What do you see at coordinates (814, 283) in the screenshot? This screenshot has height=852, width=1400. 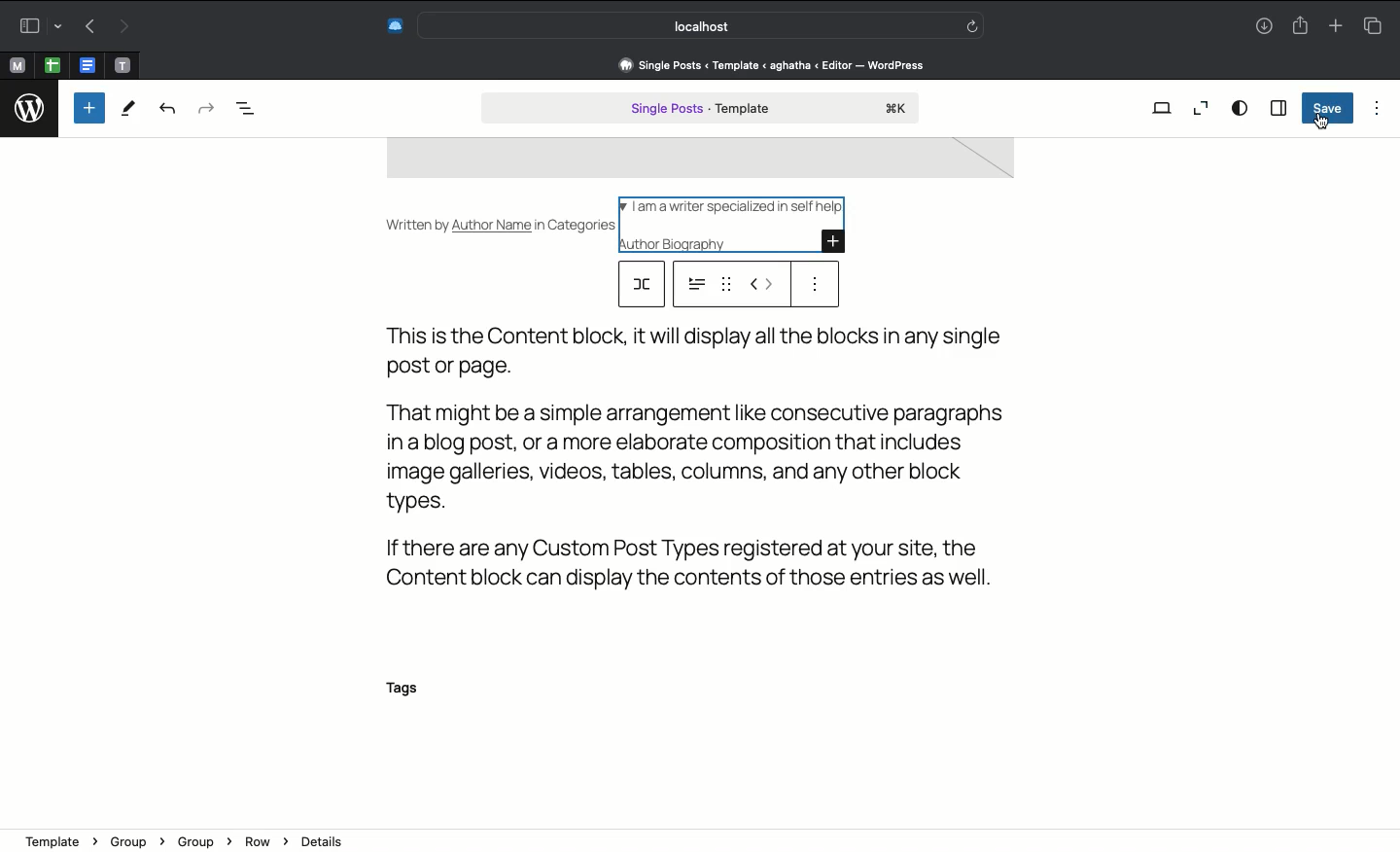 I see `Options` at bounding box center [814, 283].